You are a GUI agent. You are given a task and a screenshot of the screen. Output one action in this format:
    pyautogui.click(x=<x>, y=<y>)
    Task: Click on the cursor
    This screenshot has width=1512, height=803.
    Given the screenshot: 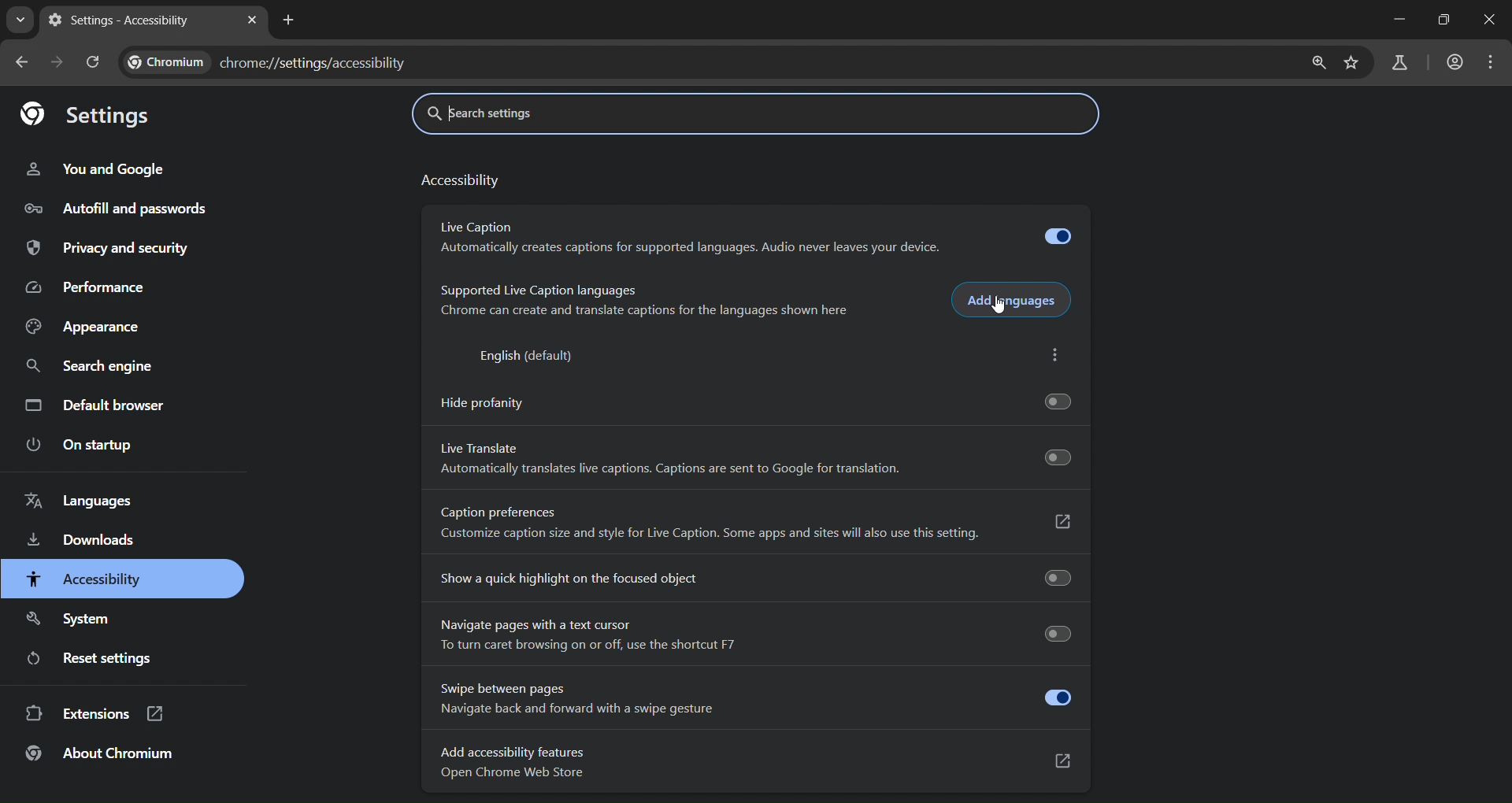 What is the action you would take?
    pyautogui.click(x=1000, y=308)
    